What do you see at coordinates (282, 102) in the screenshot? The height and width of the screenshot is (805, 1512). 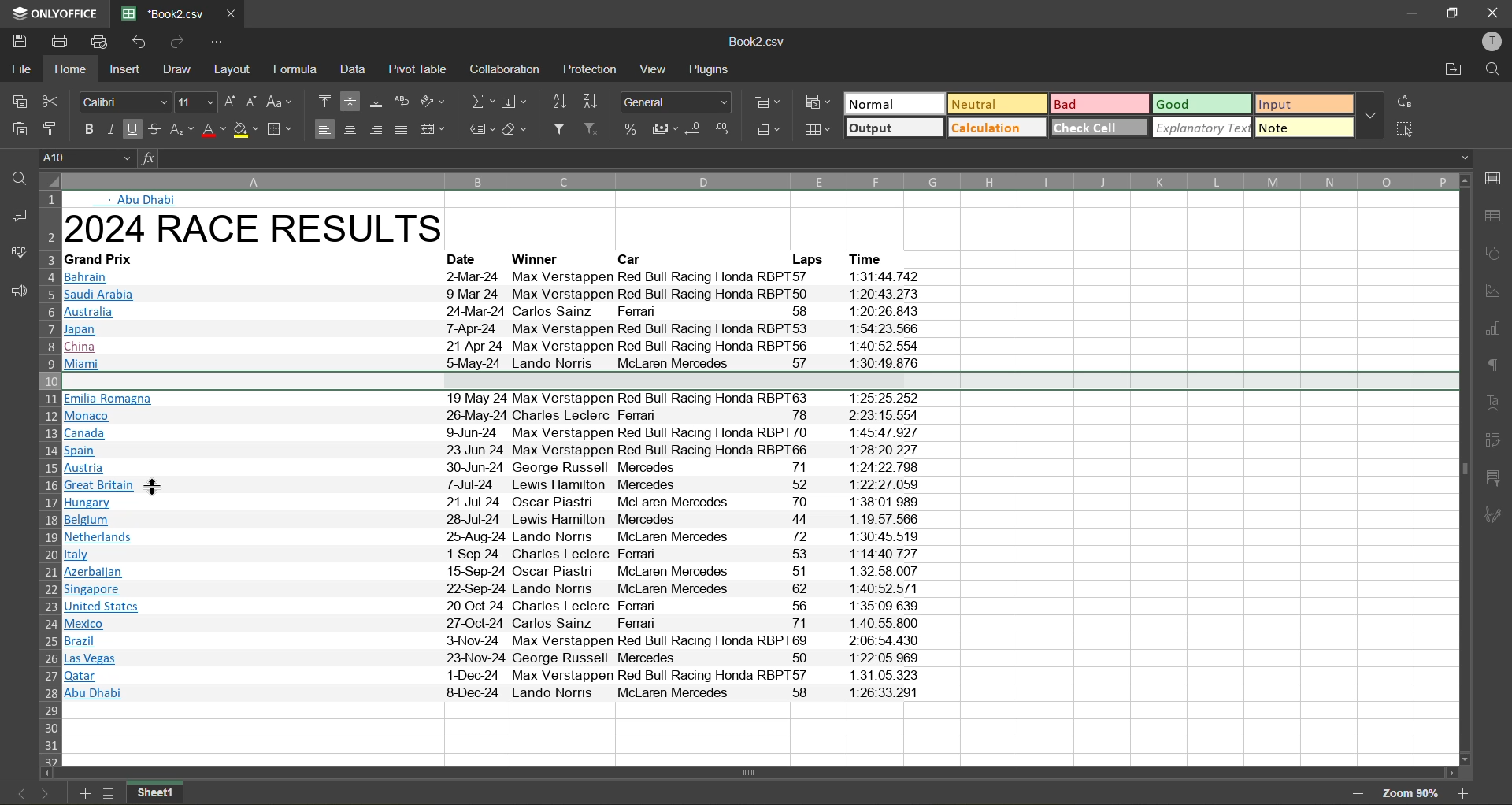 I see `change case` at bounding box center [282, 102].